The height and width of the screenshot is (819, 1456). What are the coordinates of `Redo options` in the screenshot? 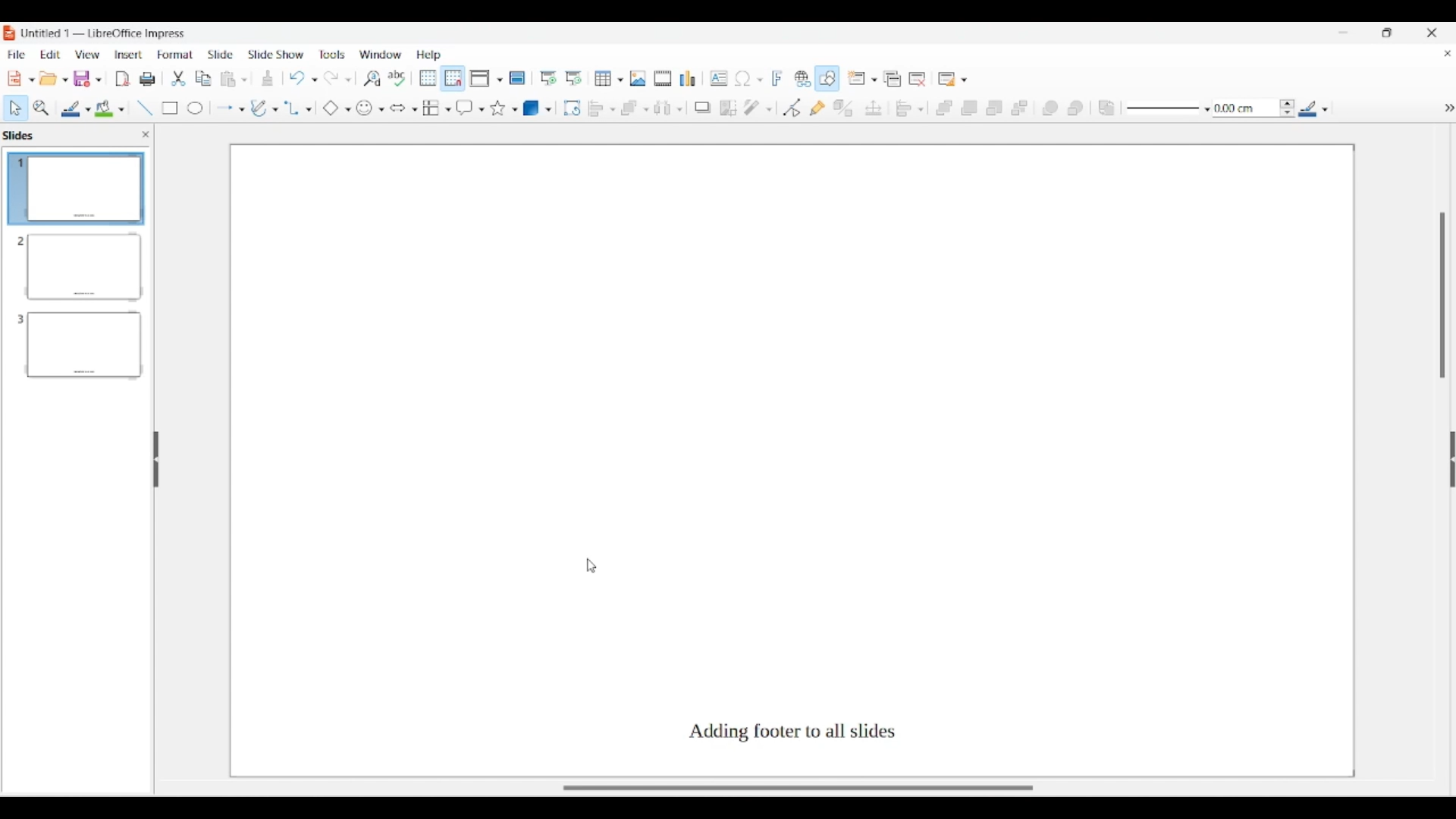 It's located at (337, 77).